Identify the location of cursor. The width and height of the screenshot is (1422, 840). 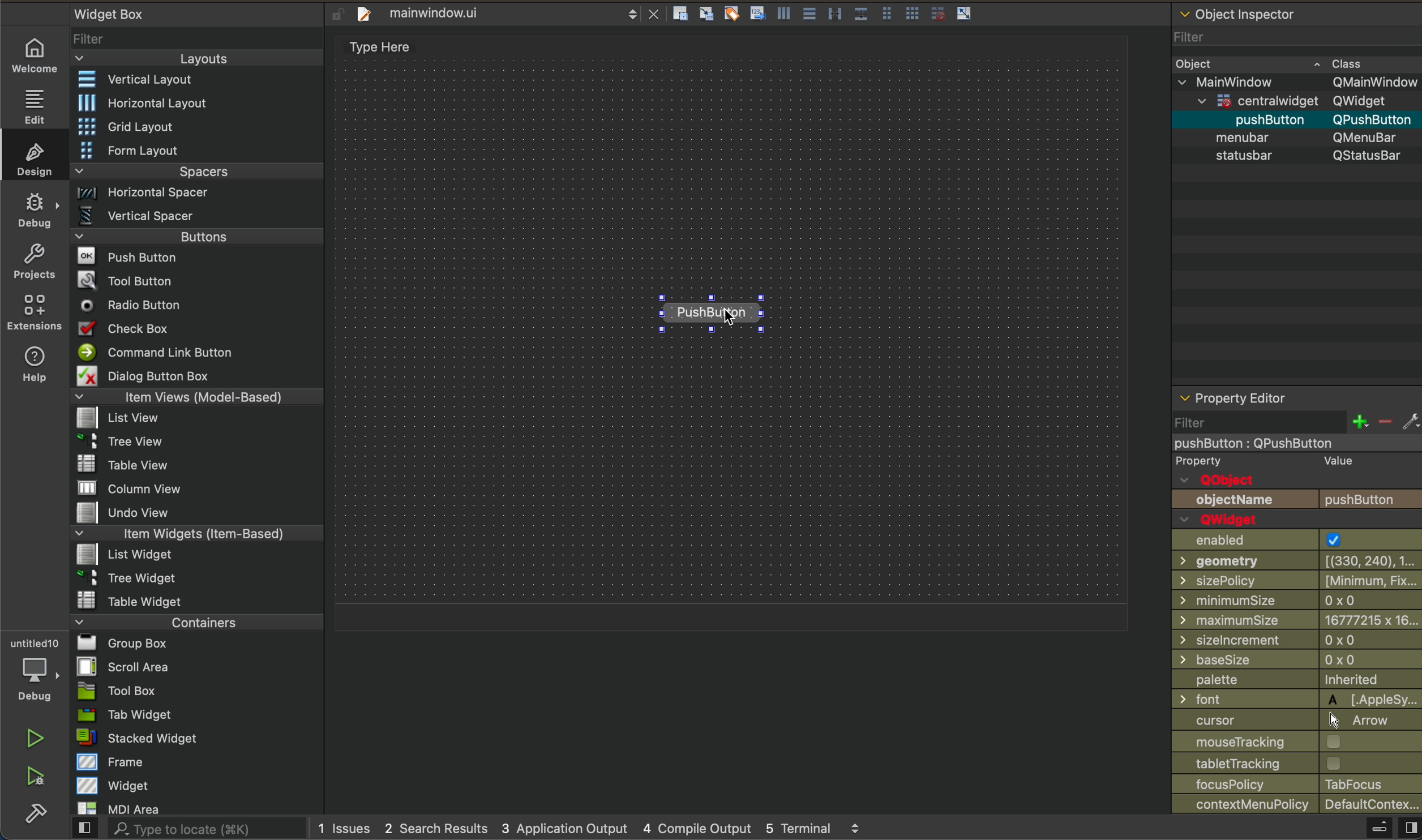
(1297, 719).